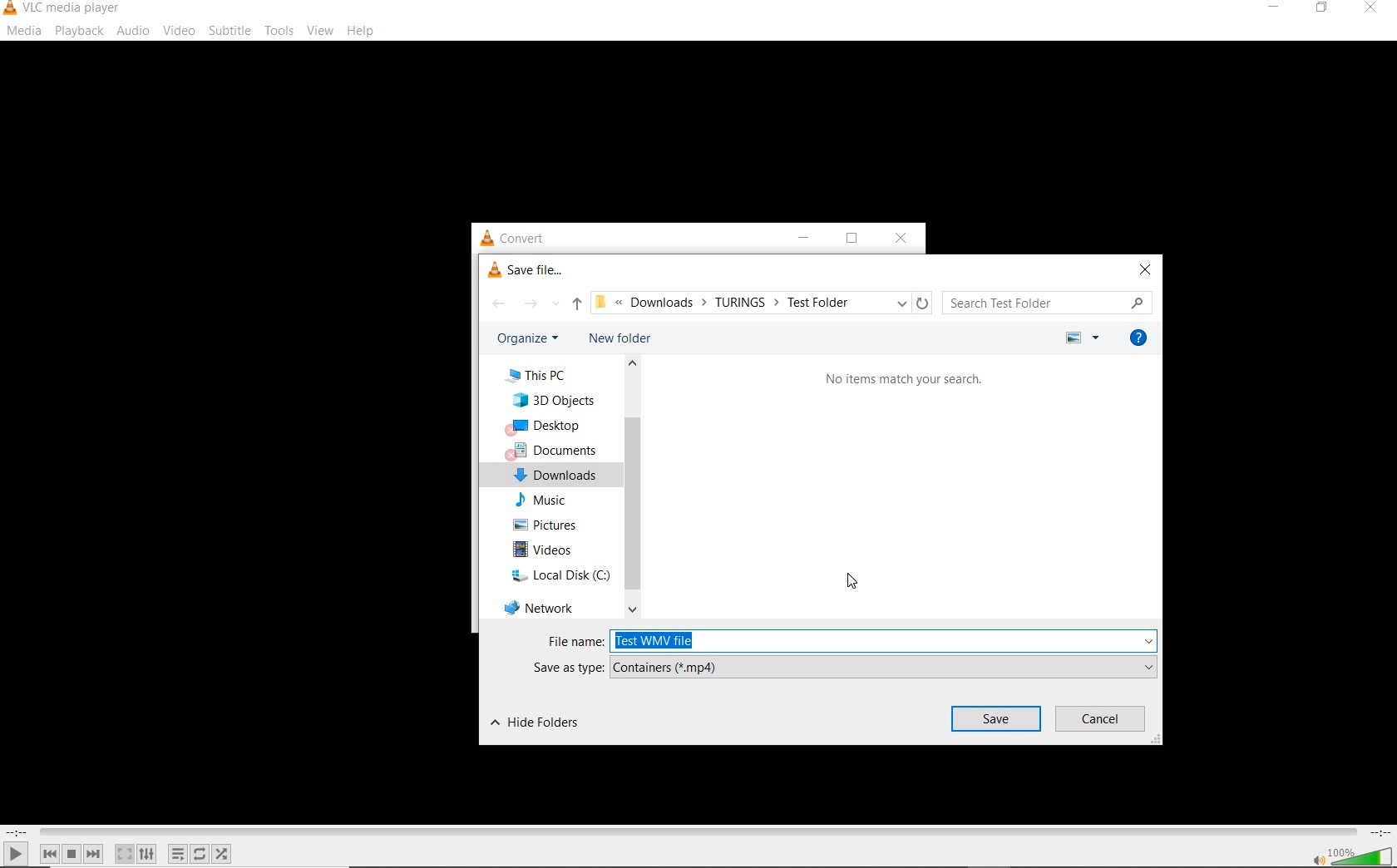 Image resolution: width=1397 pixels, height=868 pixels. What do you see at coordinates (146, 854) in the screenshot?
I see `show extended settings` at bounding box center [146, 854].